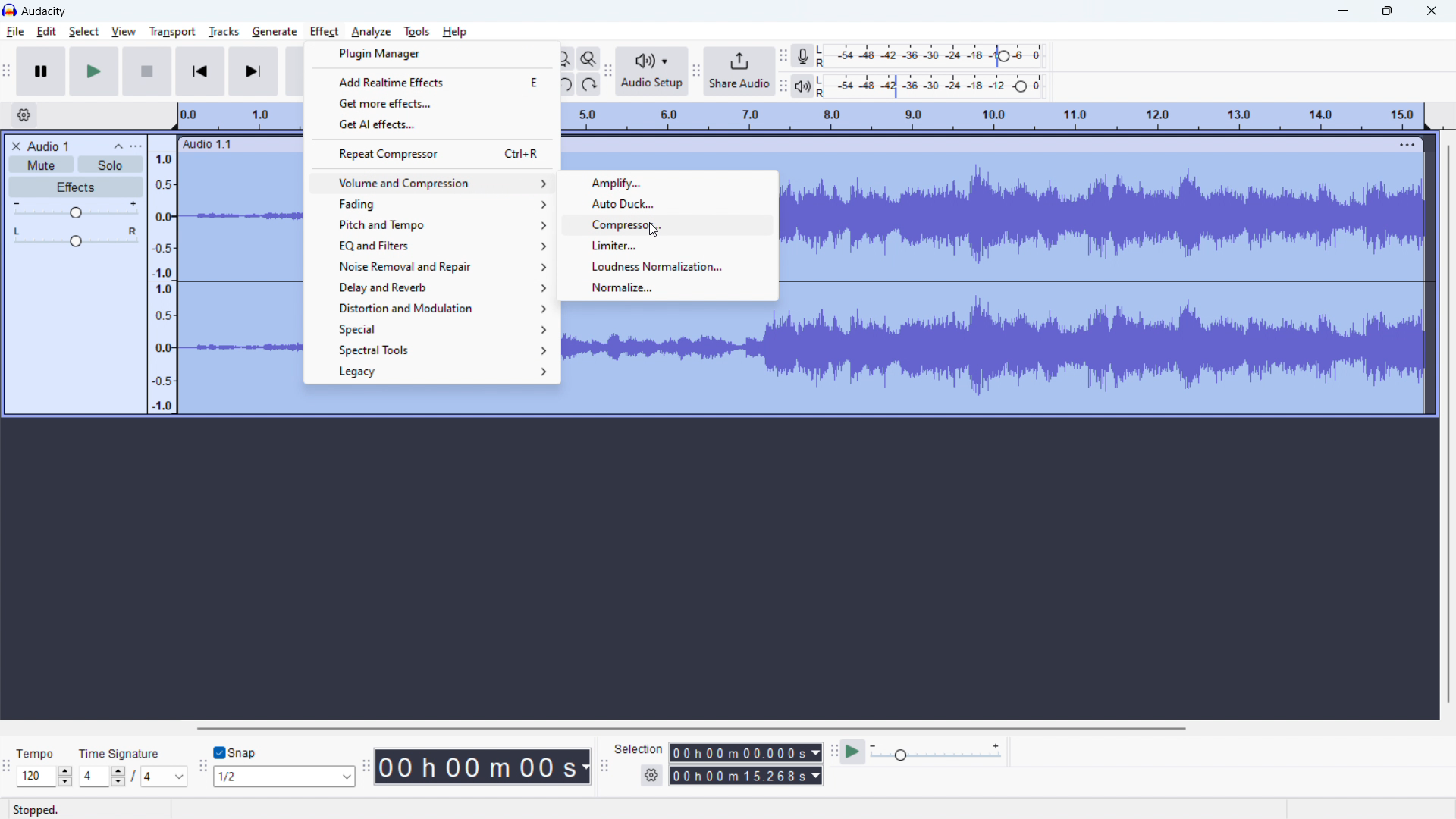 Image resolution: width=1456 pixels, height=819 pixels. Describe the element at coordinates (325, 33) in the screenshot. I see `effect` at that location.